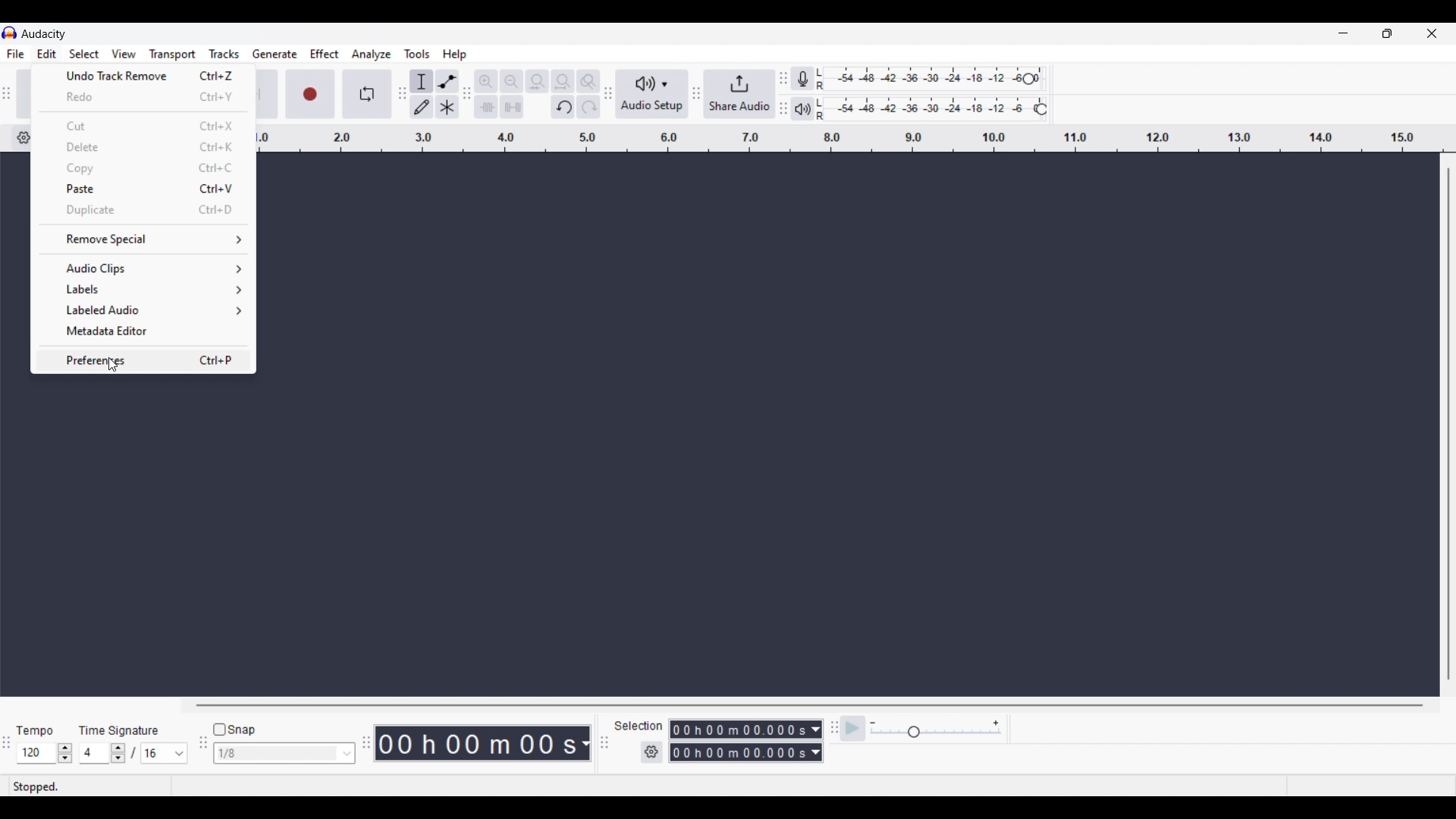  What do you see at coordinates (143, 359) in the screenshot?
I see `Preferences` at bounding box center [143, 359].